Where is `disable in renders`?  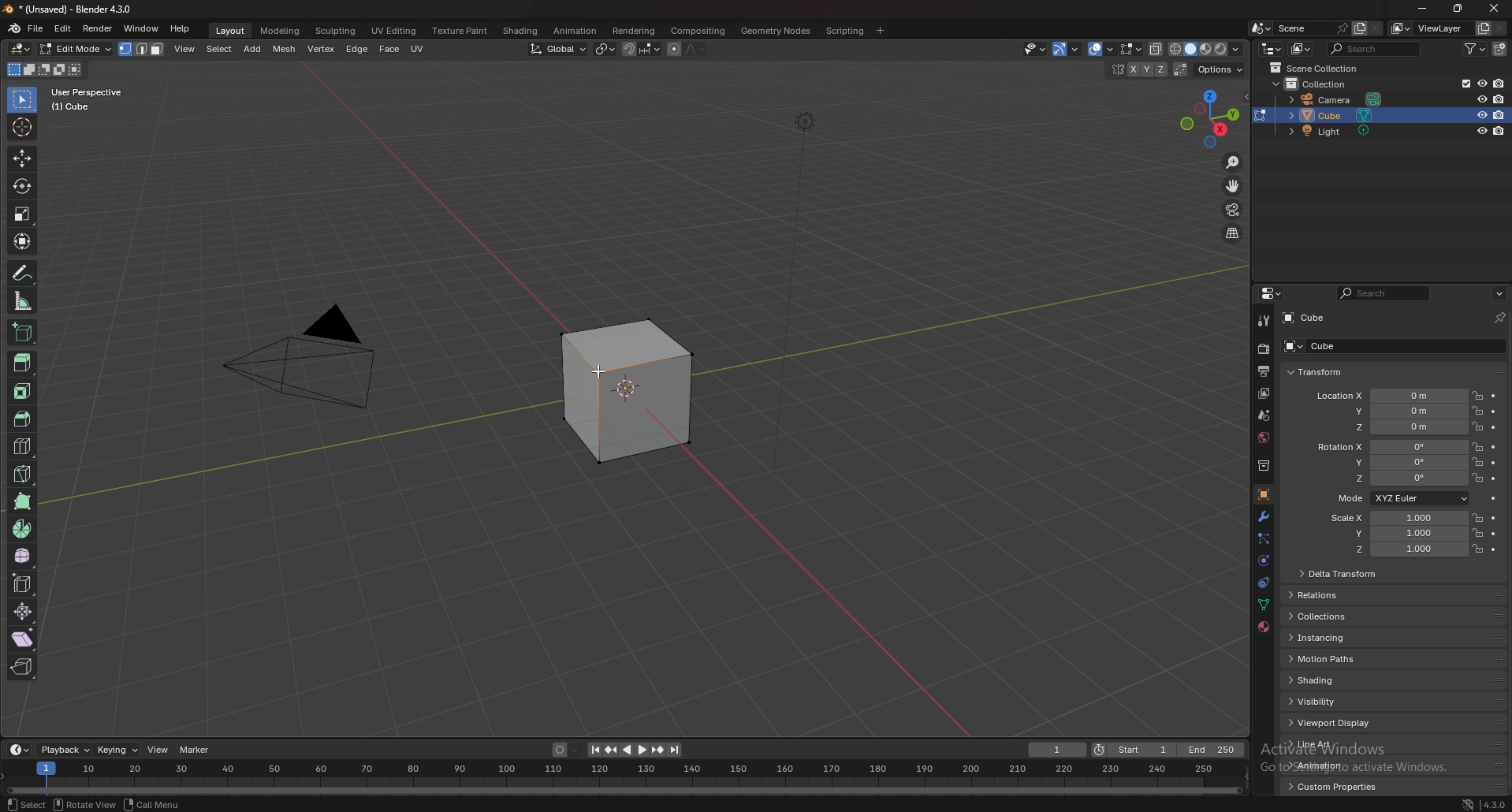
disable in renders is located at coordinates (1499, 130).